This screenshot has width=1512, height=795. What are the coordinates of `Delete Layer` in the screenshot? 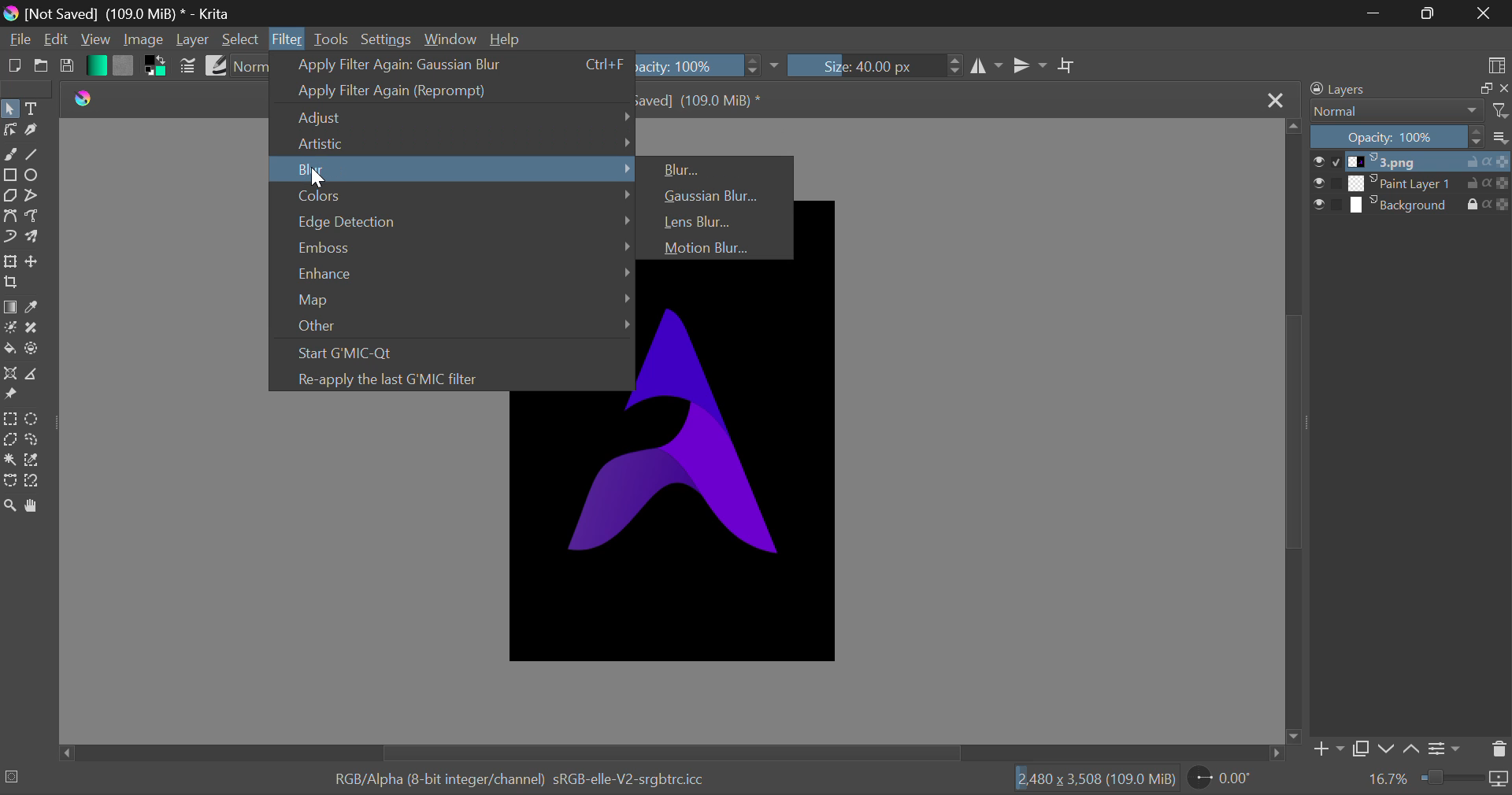 It's located at (1498, 749).